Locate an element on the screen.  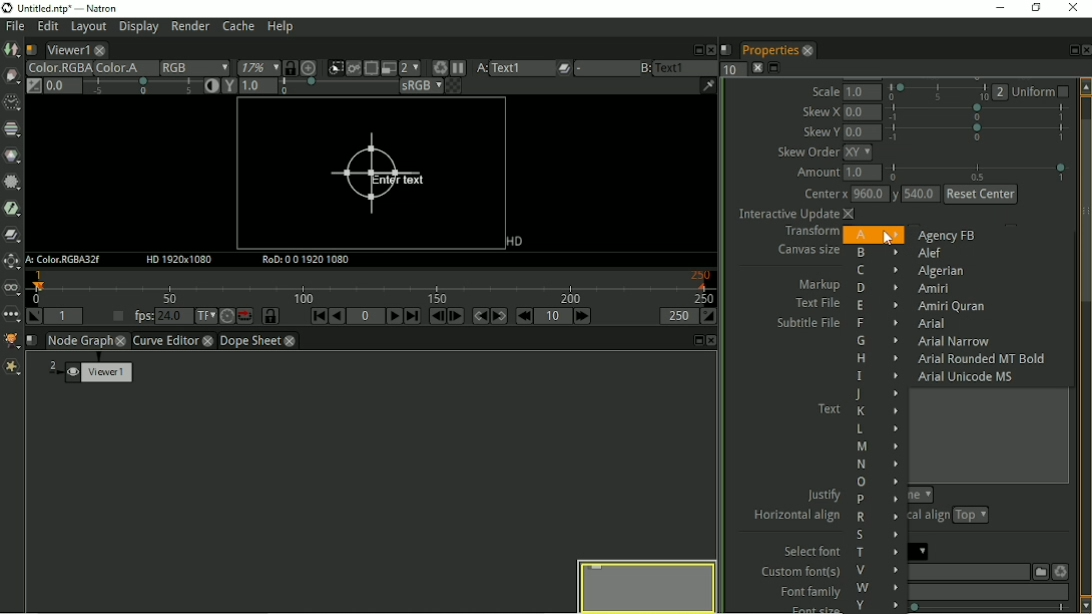
A is located at coordinates (480, 68).